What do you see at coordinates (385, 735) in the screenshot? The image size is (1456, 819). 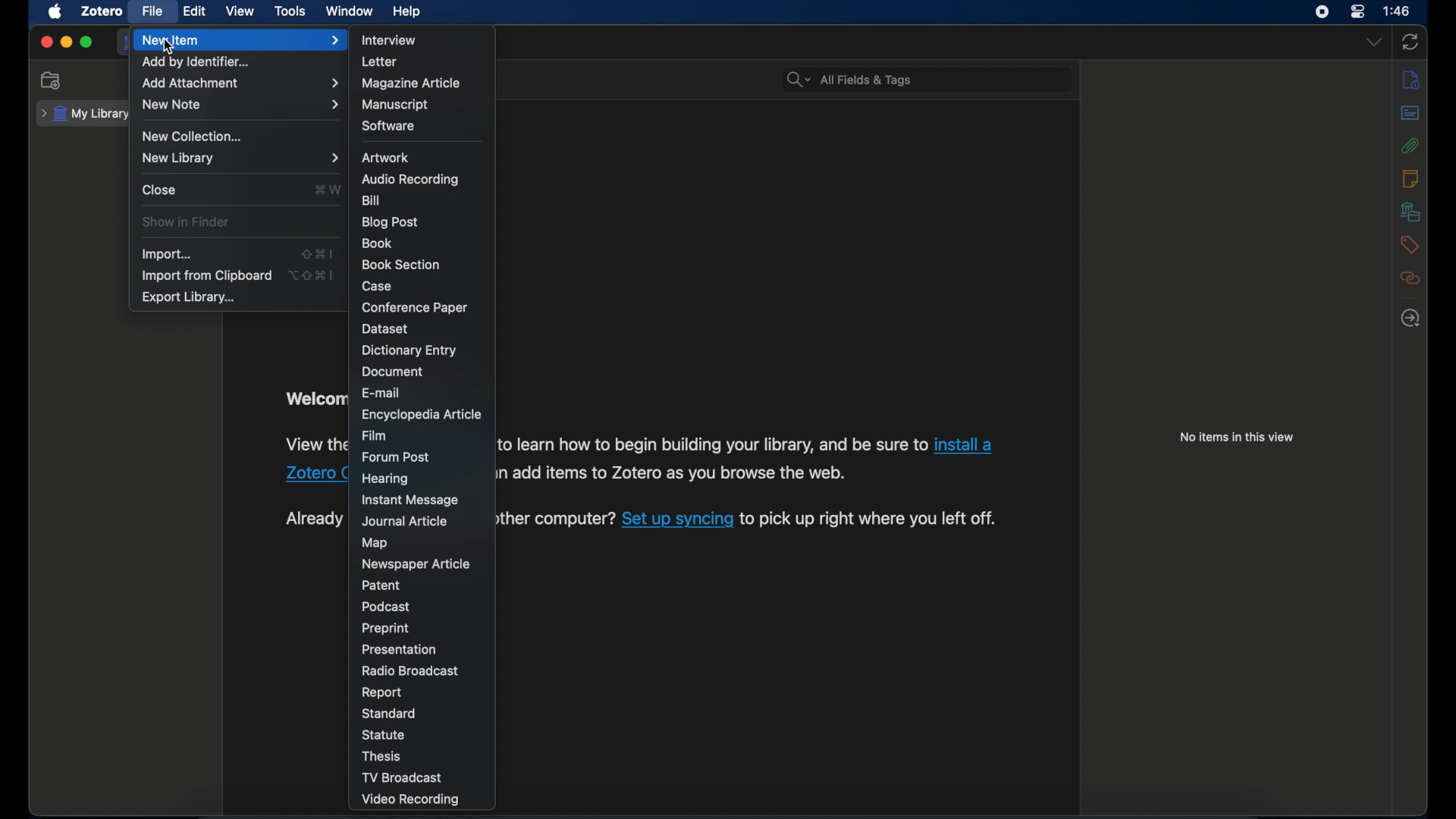 I see `statue` at bounding box center [385, 735].